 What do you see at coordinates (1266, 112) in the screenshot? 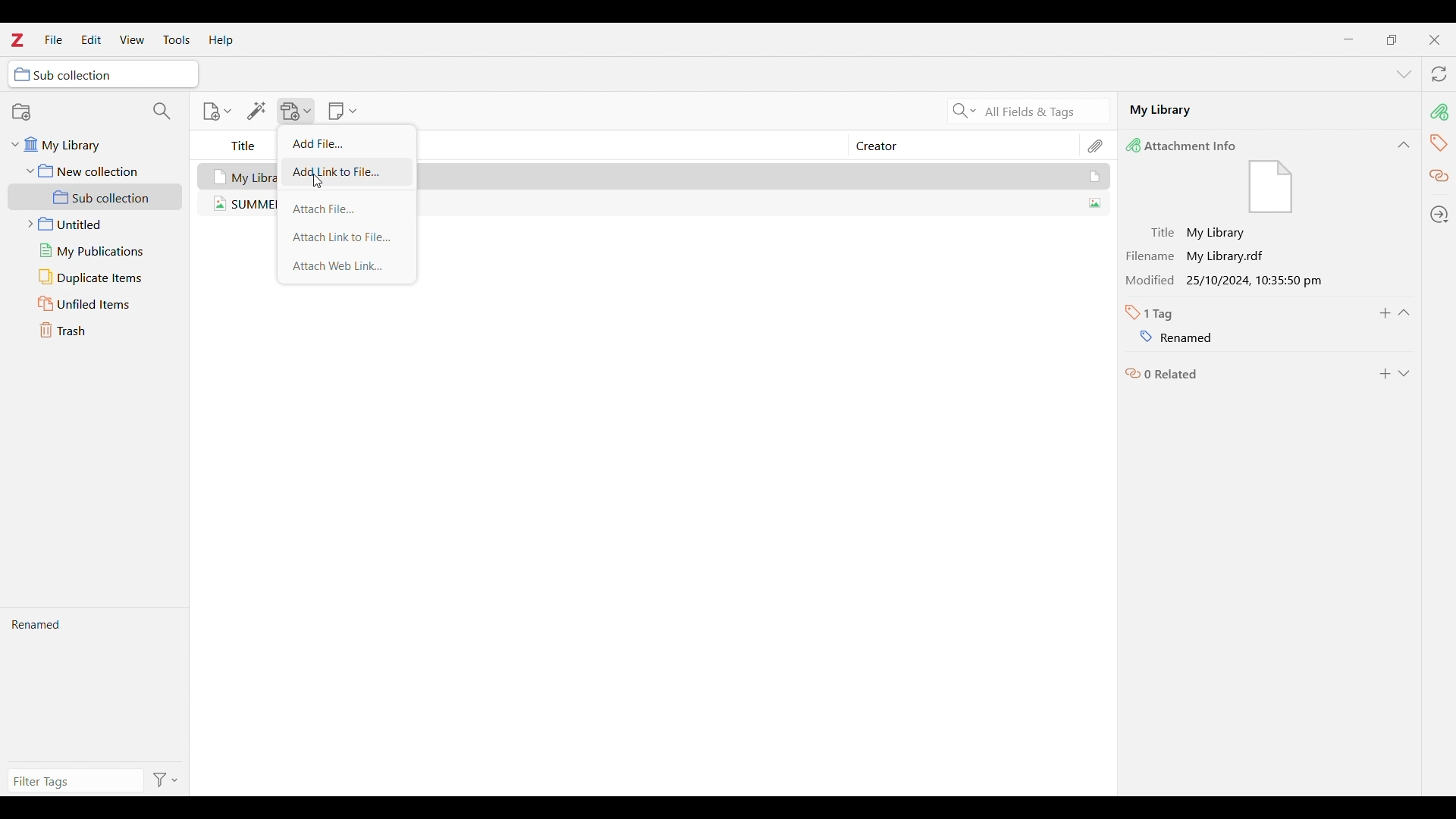
I see `My Library` at bounding box center [1266, 112].